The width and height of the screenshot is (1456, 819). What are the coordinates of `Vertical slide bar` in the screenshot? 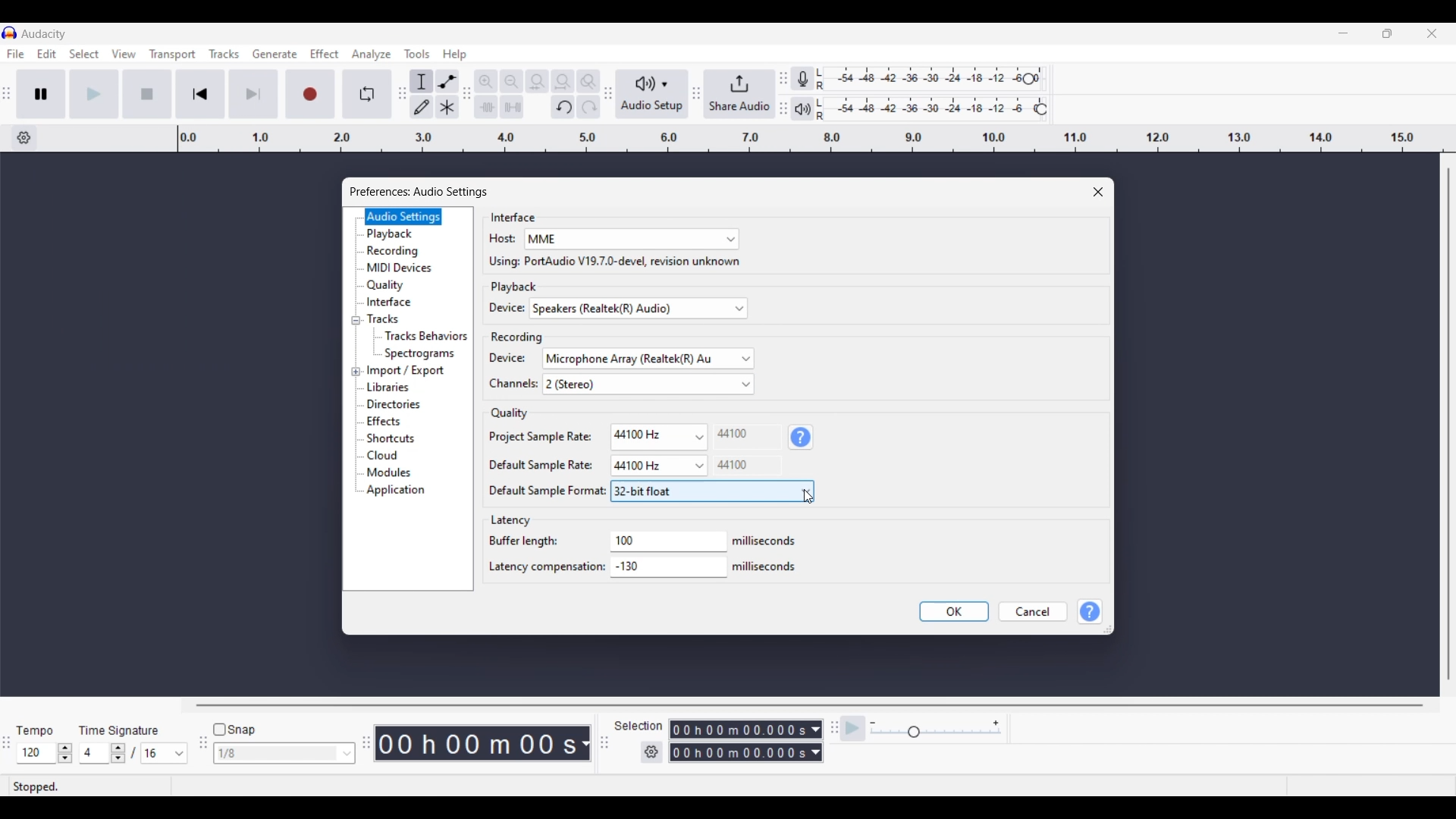 It's located at (1448, 424).